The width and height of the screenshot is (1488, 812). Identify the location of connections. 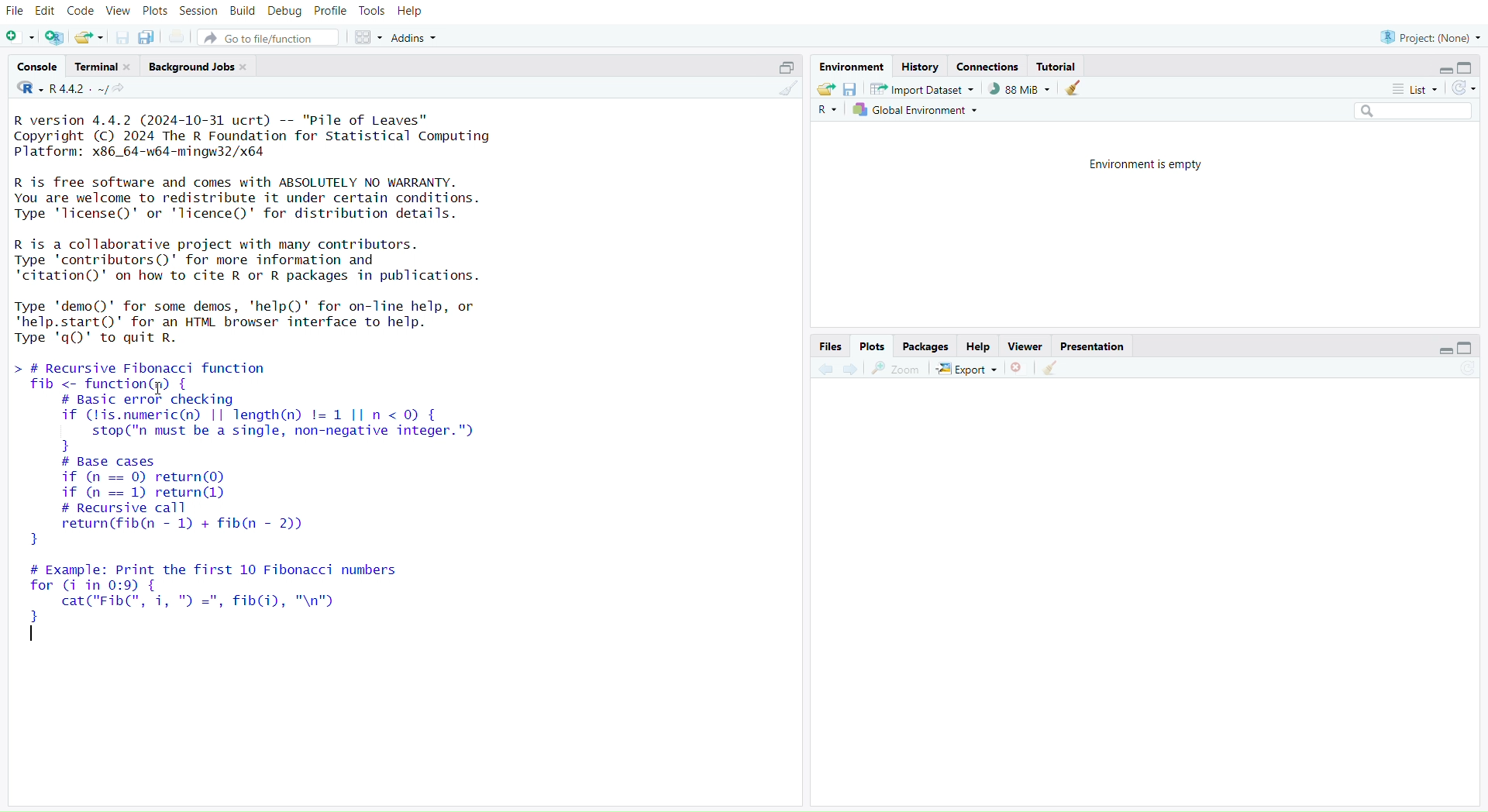
(987, 67).